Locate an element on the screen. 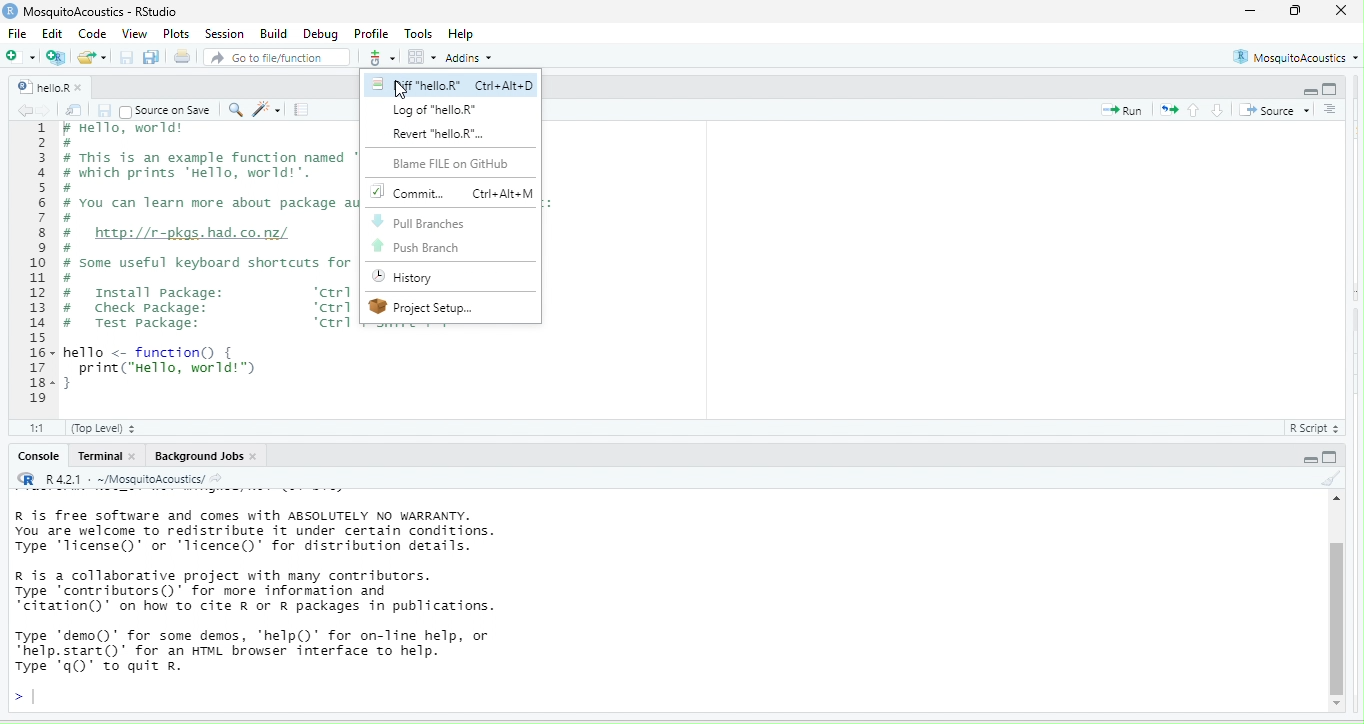 The width and height of the screenshot is (1364, 724). go to next section/chunk is located at coordinates (1216, 111).